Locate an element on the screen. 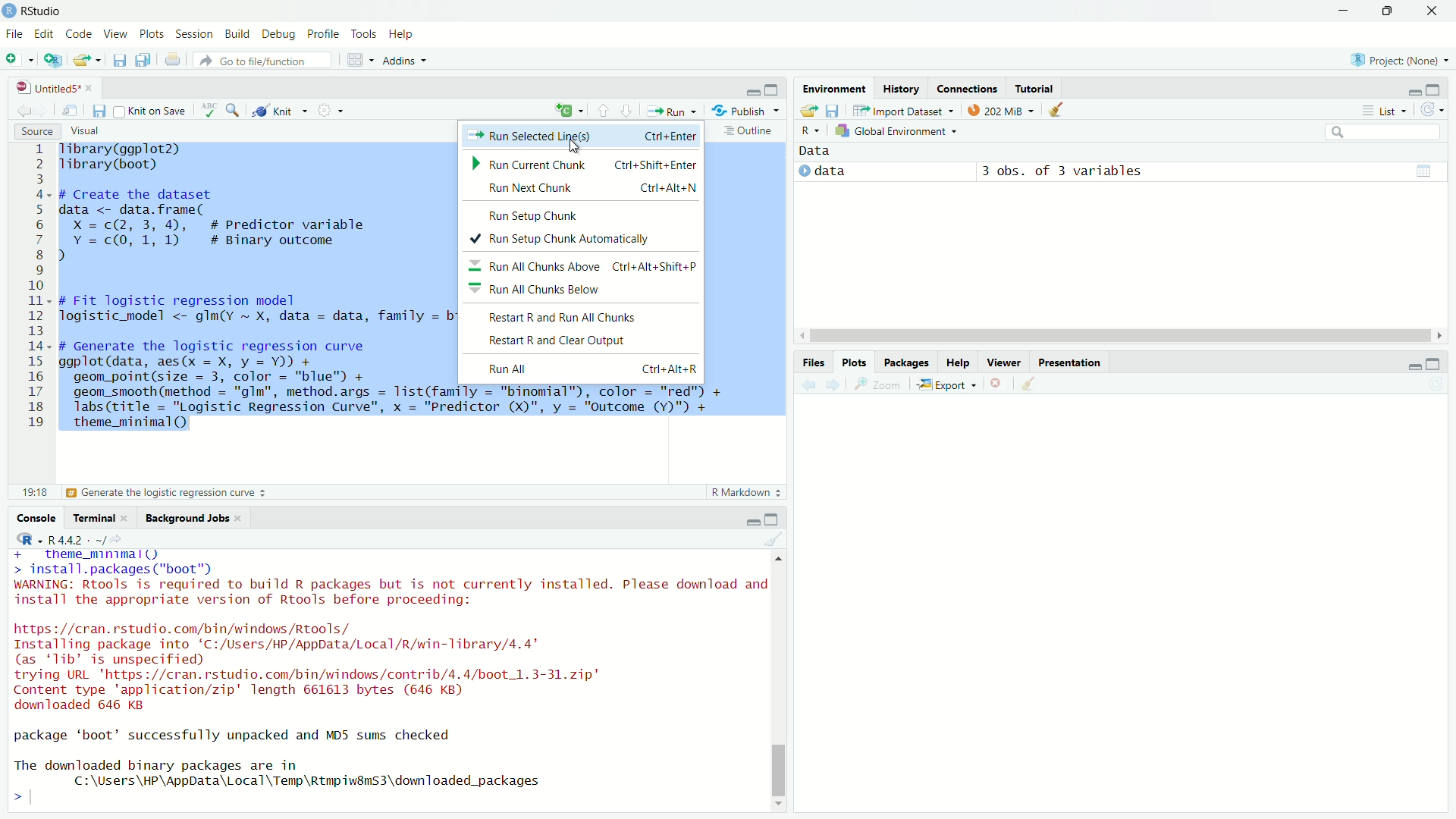  Debug is located at coordinates (278, 33).